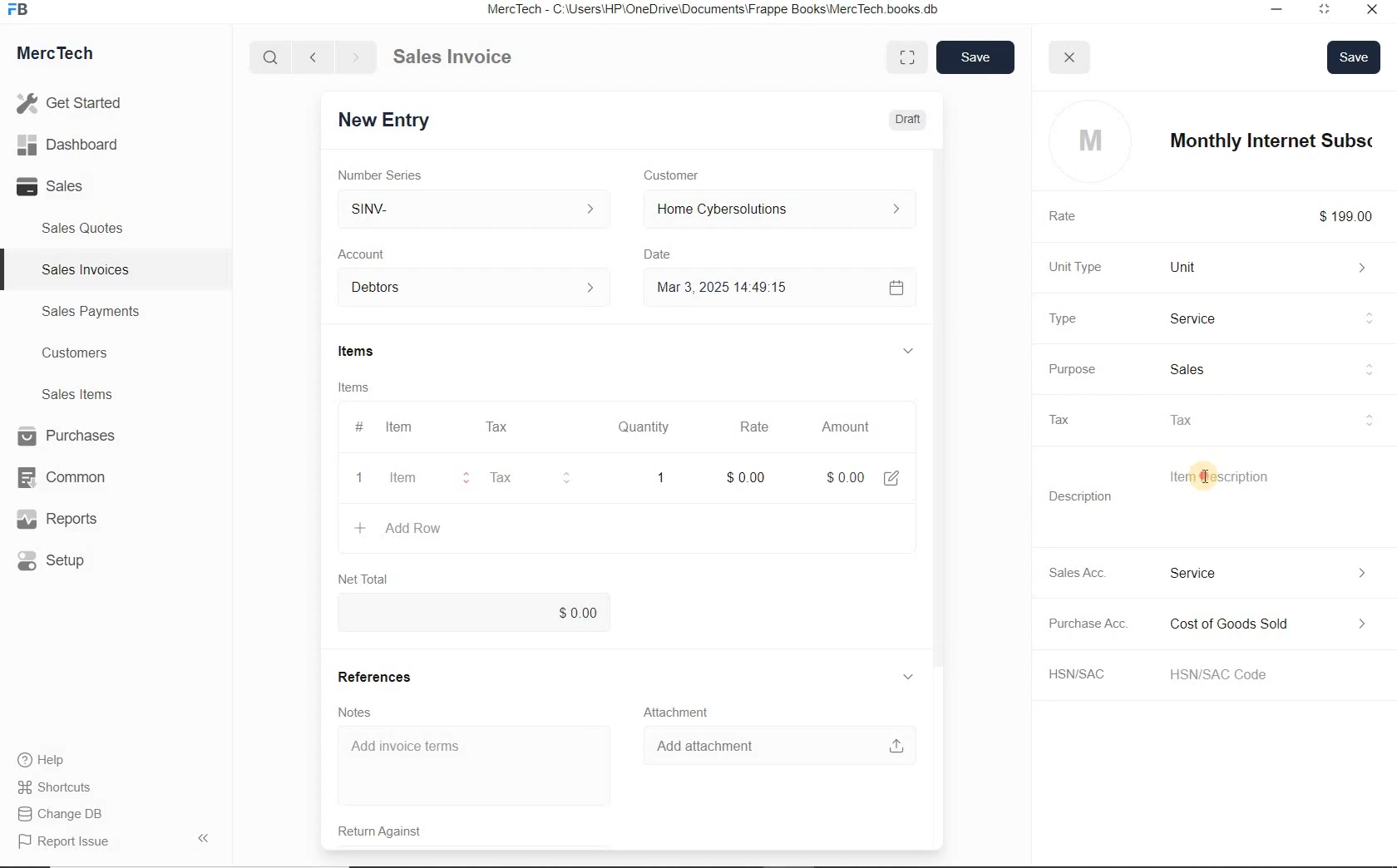 The width and height of the screenshot is (1397, 868). Describe the element at coordinates (359, 711) in the screenshot. I see `Notes` at that location.